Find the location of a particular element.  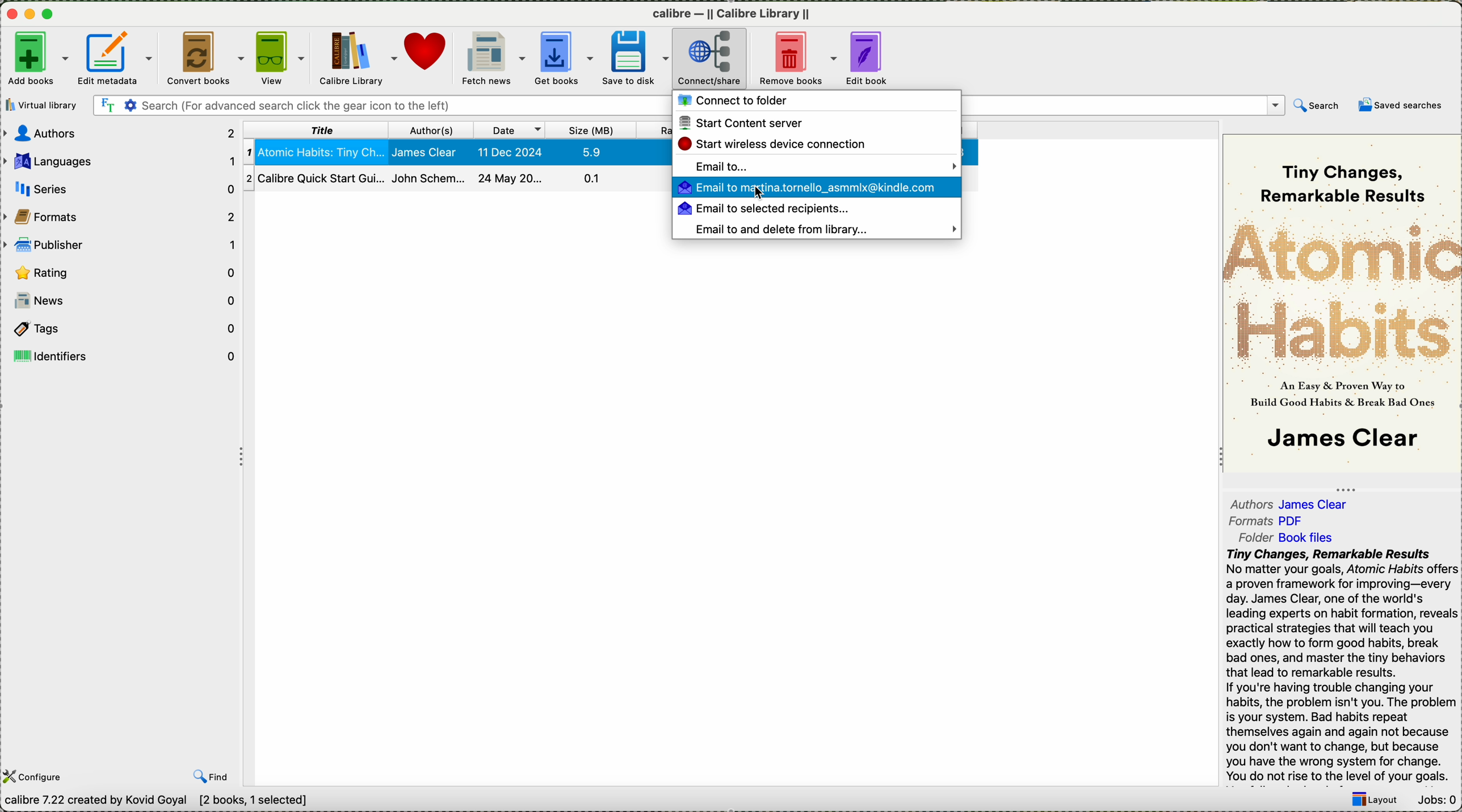

Jobs: 0 is located at coordinates (1438, 801).